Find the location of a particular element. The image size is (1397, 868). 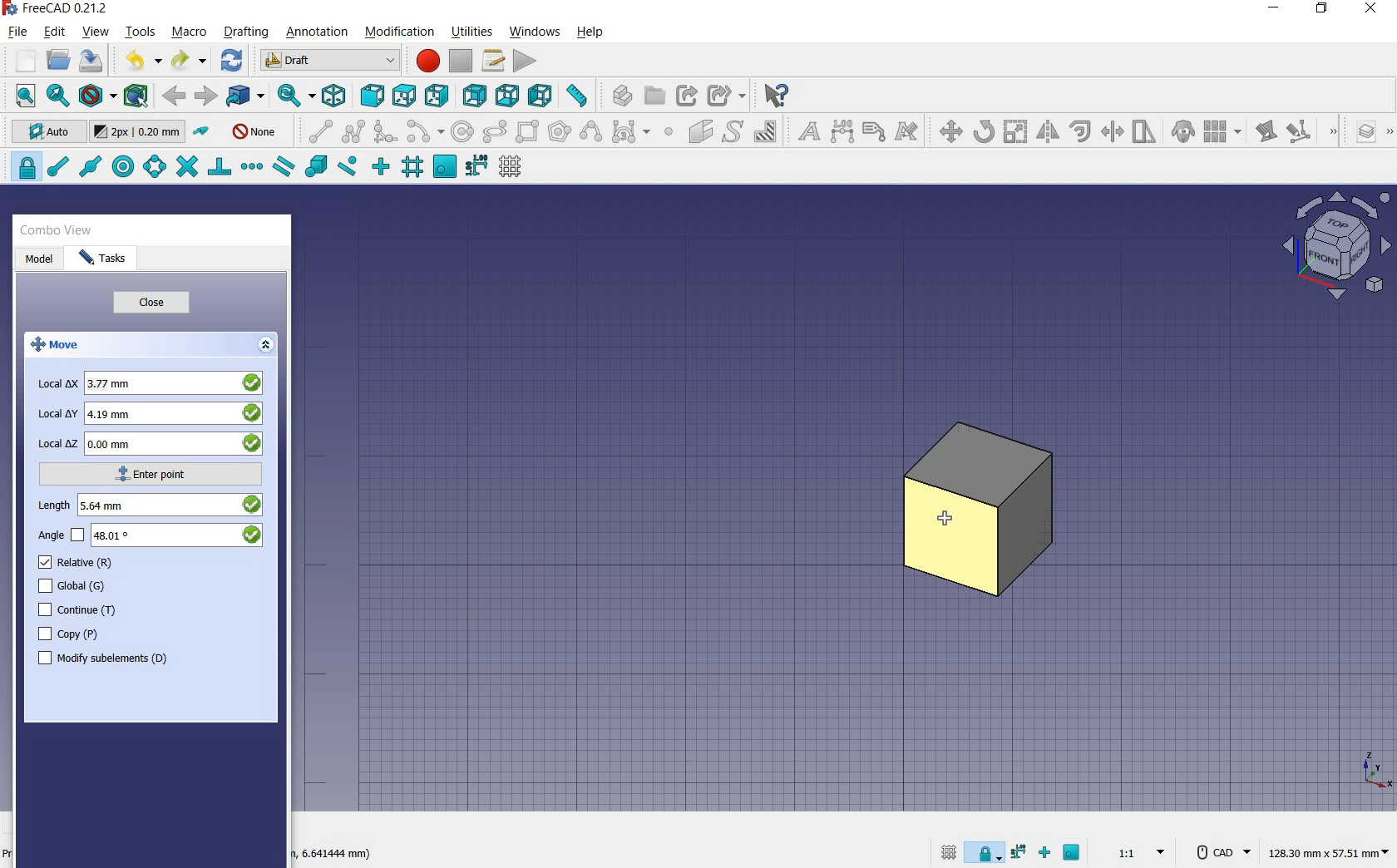

right is located at coordinates (437, 95).